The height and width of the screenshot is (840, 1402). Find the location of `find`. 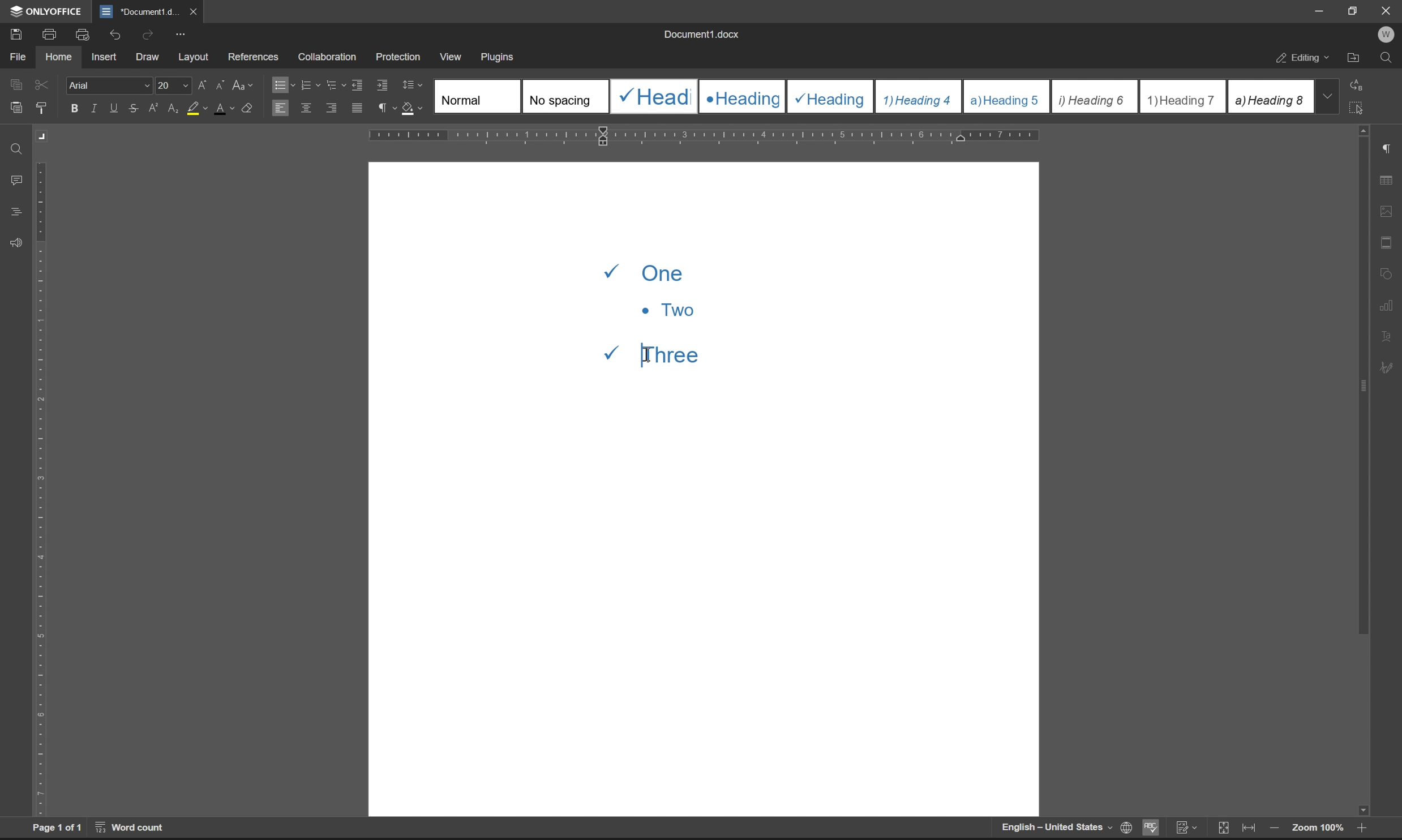

find is located at coordinates (18, 150).